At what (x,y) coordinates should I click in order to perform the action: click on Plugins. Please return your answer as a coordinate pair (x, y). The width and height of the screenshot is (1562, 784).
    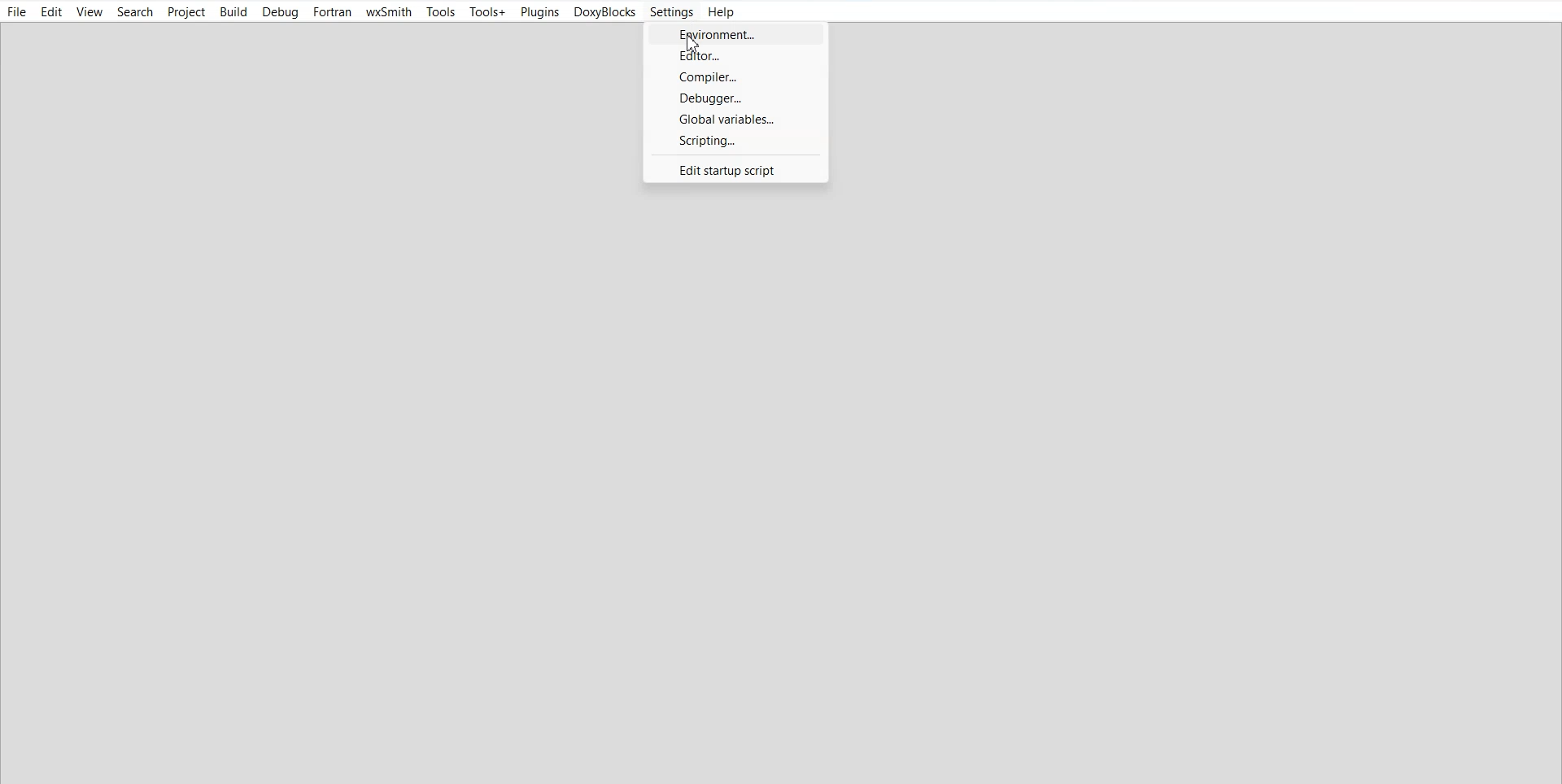
    Looking at the image, I should click on (539, 13).